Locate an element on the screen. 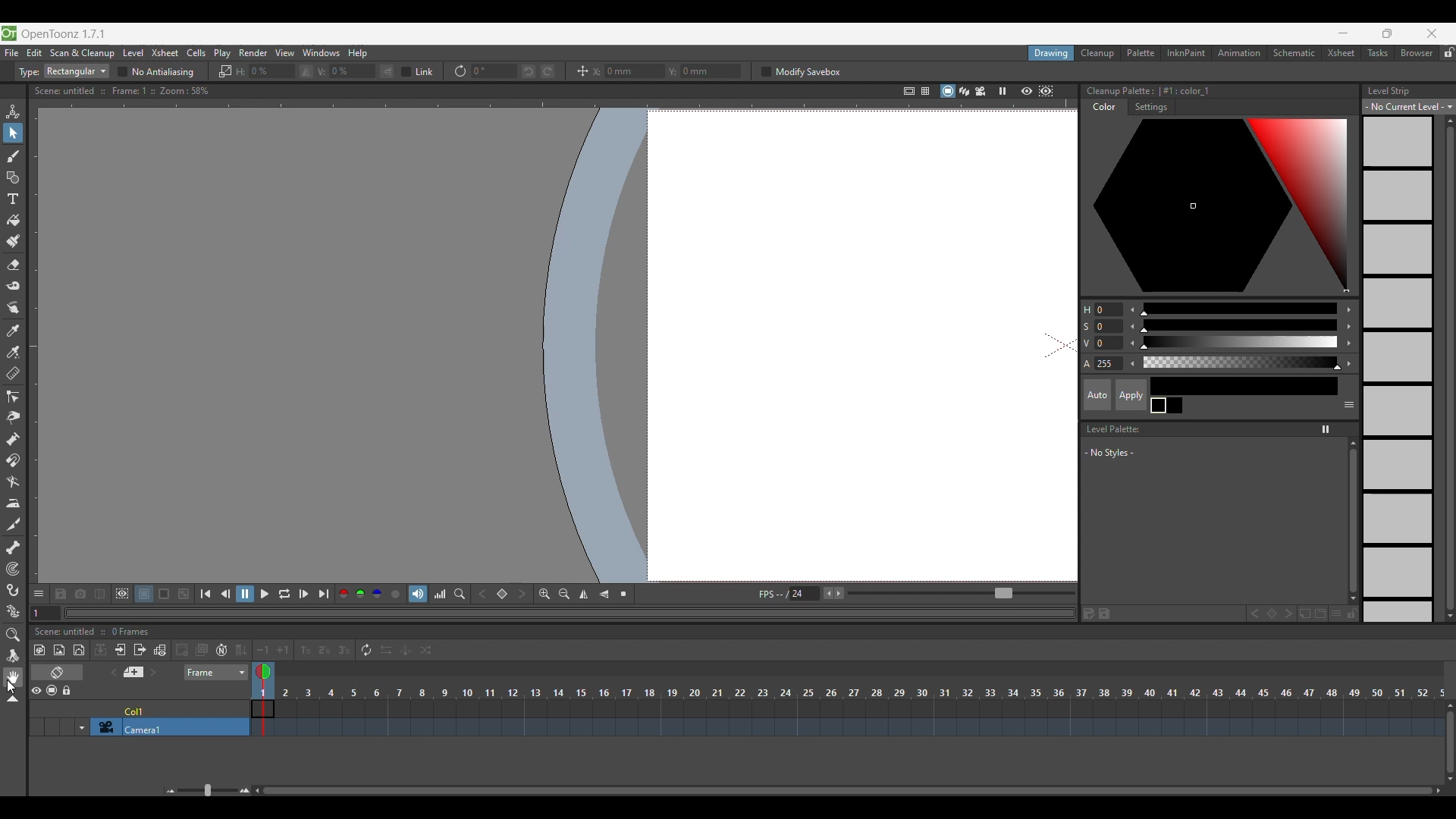 This screenshot has width=1456, height=819. Flip vertically is located at coordinates (604, 594).